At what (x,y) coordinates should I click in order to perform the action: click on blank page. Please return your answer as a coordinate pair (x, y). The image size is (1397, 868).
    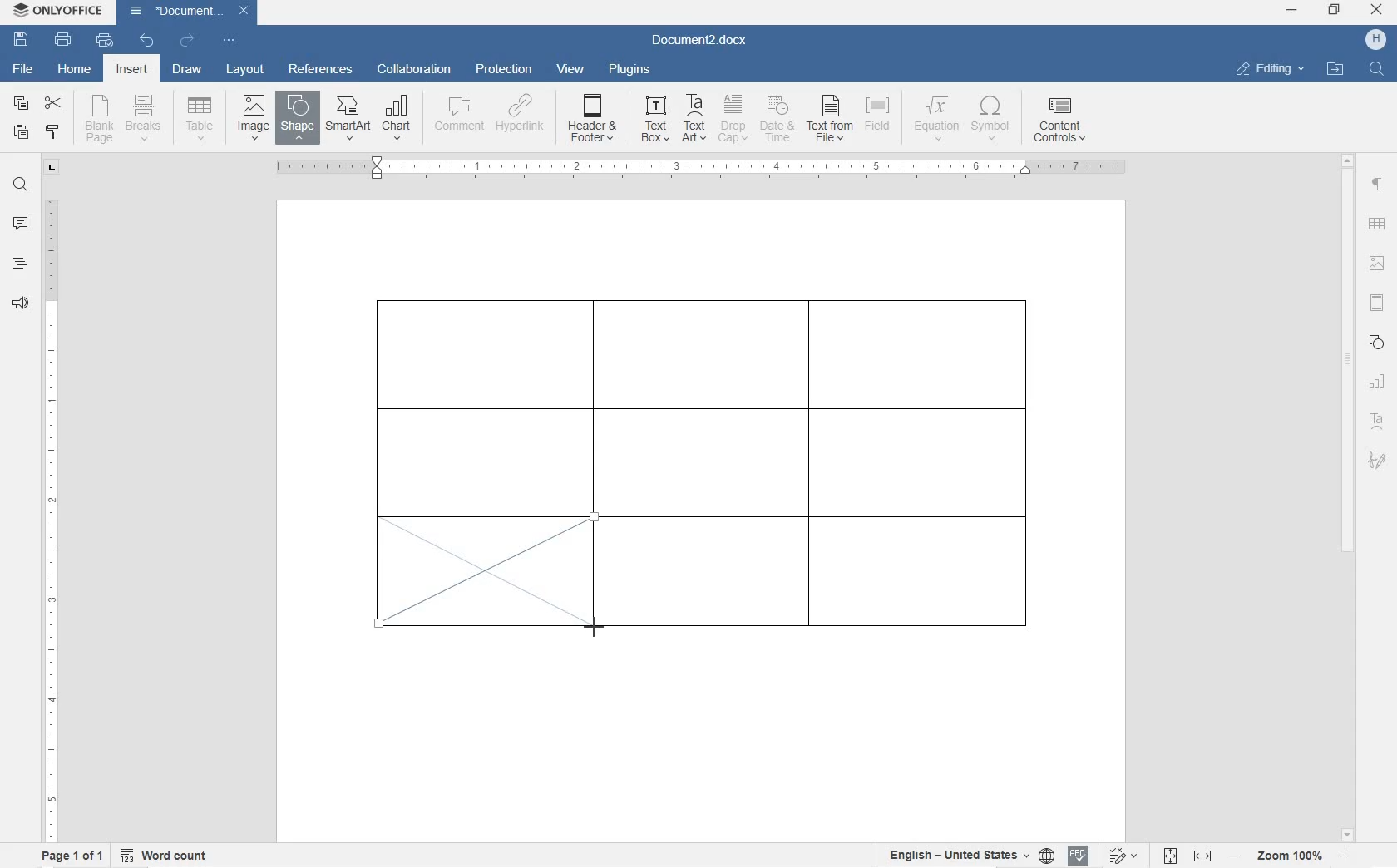
    Looking at the image, I should click on (97, 121).